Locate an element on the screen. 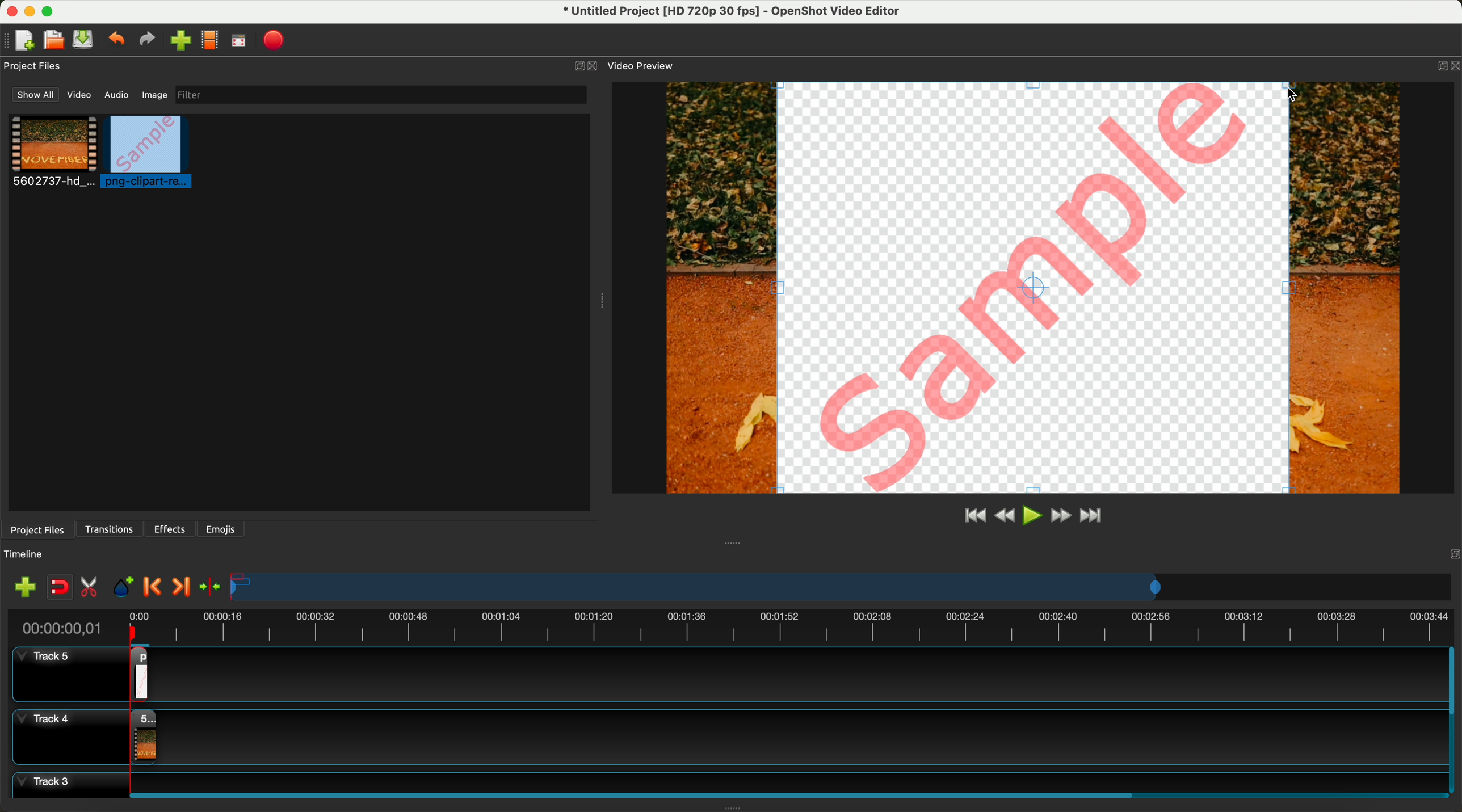  redo is located at coordinates (150, 41).